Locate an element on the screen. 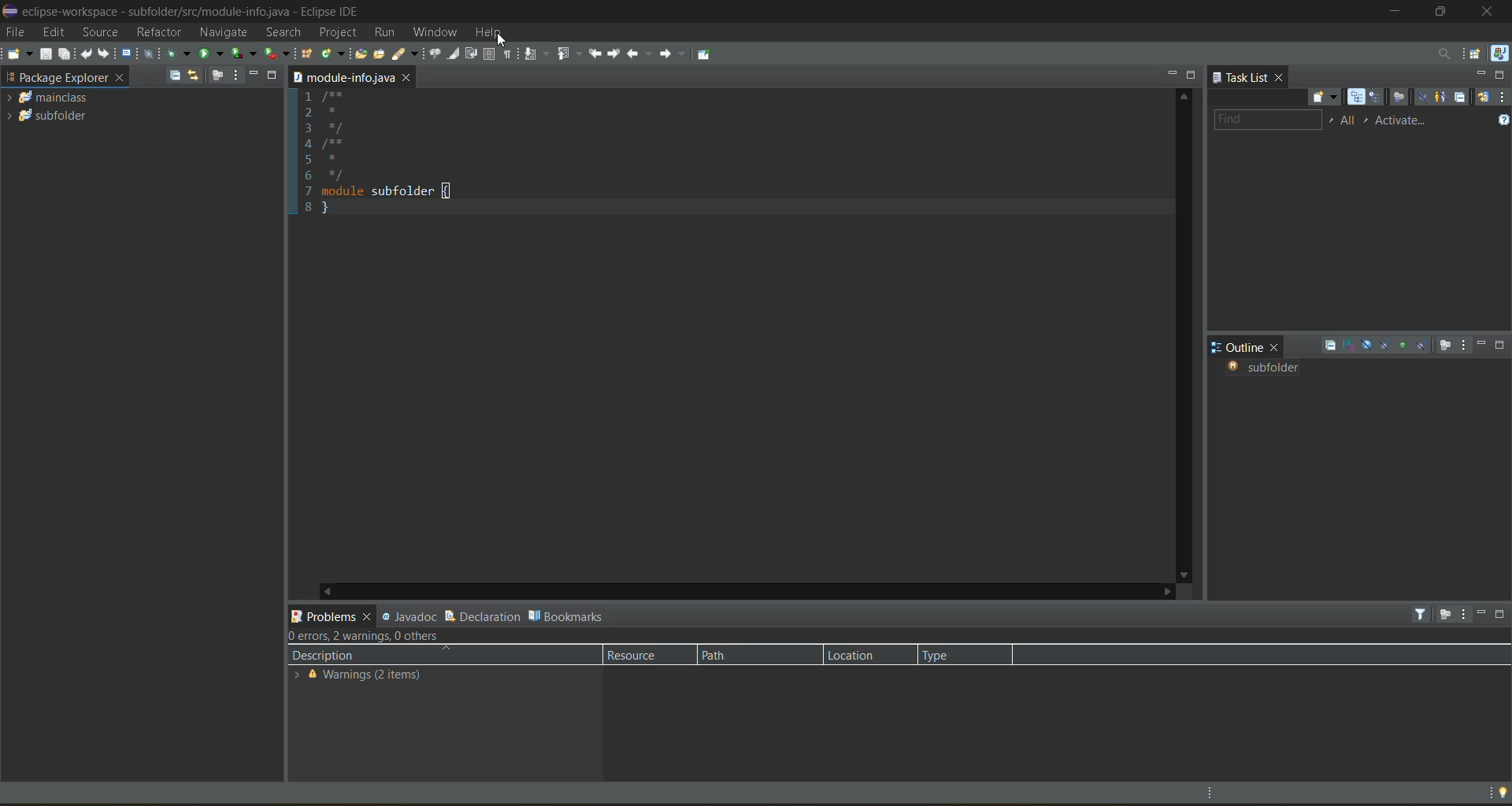 The width and height of the screenshot is (1512, 806). access commands and other items is located at coordinates (1445, 53).